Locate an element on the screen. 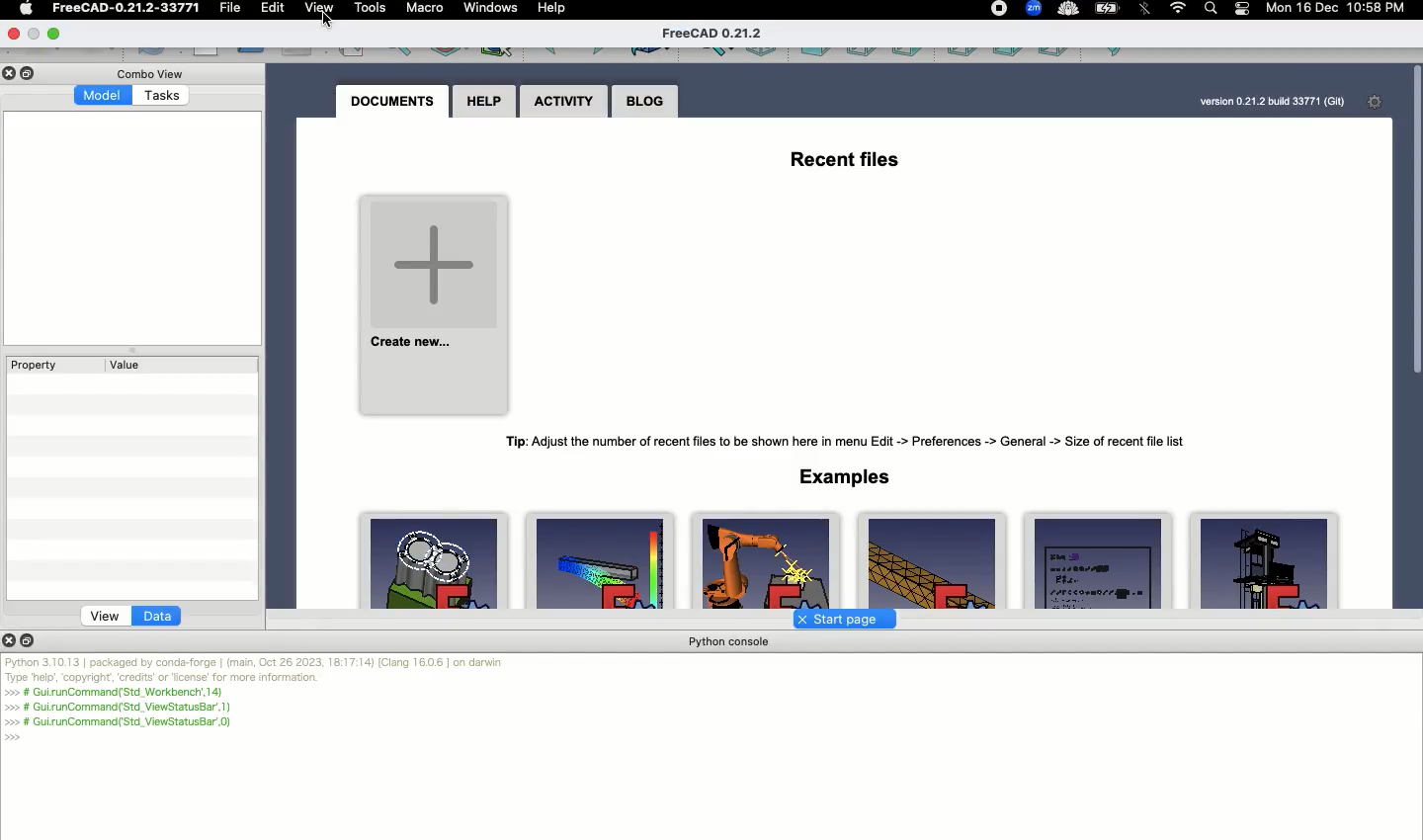 The width and height of the screenshot is (1423, 840). Model is located at coordinates (104, 95).